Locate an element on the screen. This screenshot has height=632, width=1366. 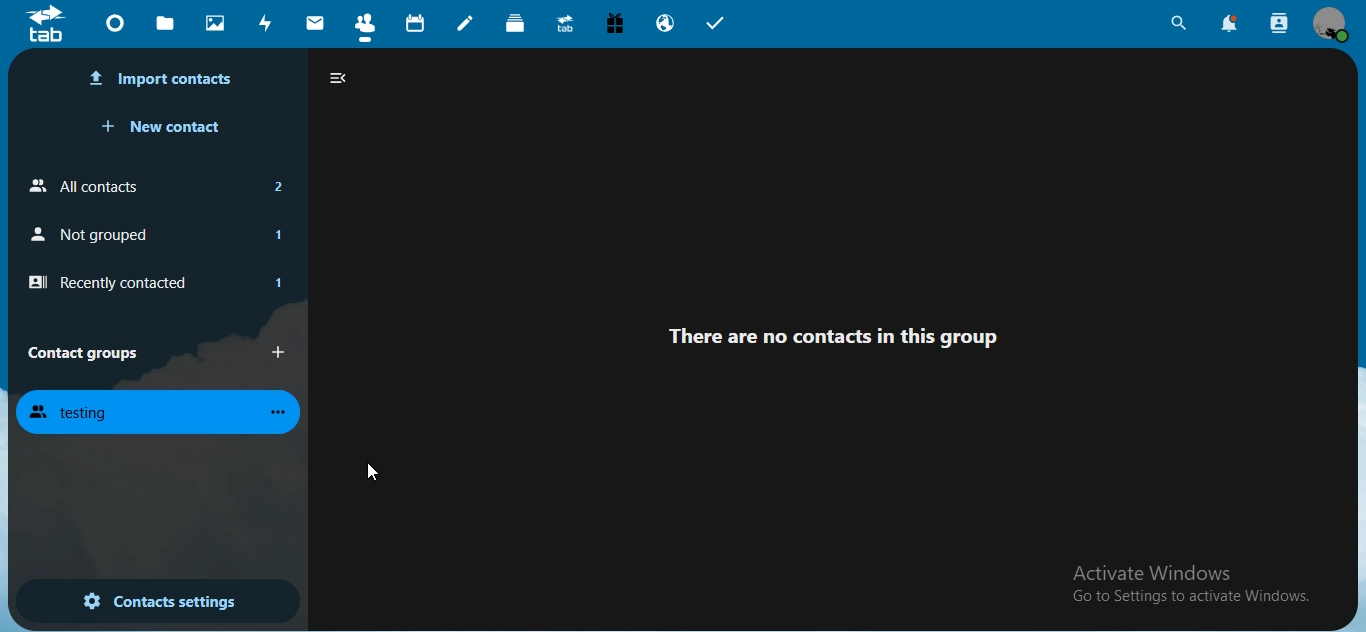
photos is located at coordinates (217, 22).